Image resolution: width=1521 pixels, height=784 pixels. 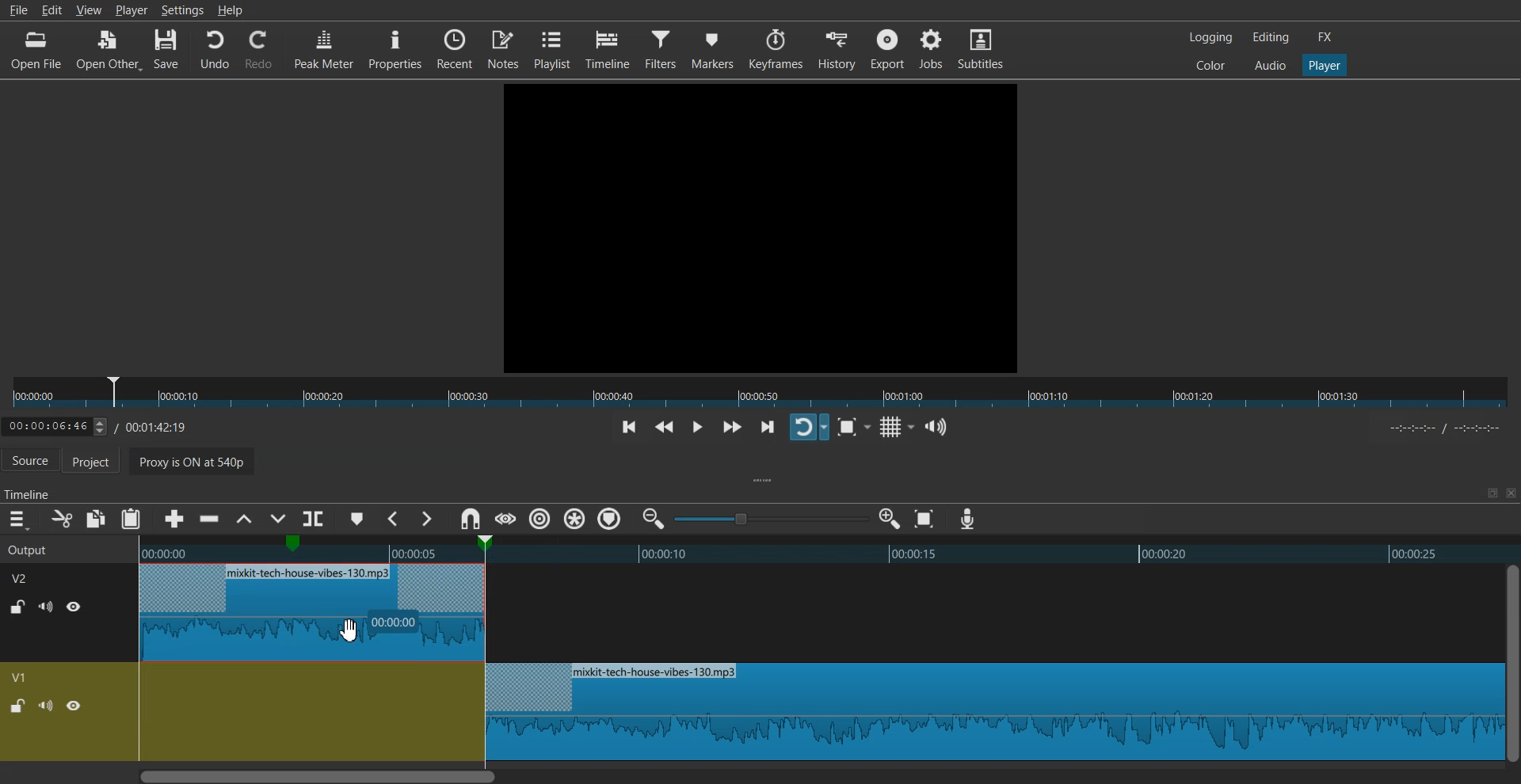 I want to click on Lock / UnLock, so click(x=19, y=607).